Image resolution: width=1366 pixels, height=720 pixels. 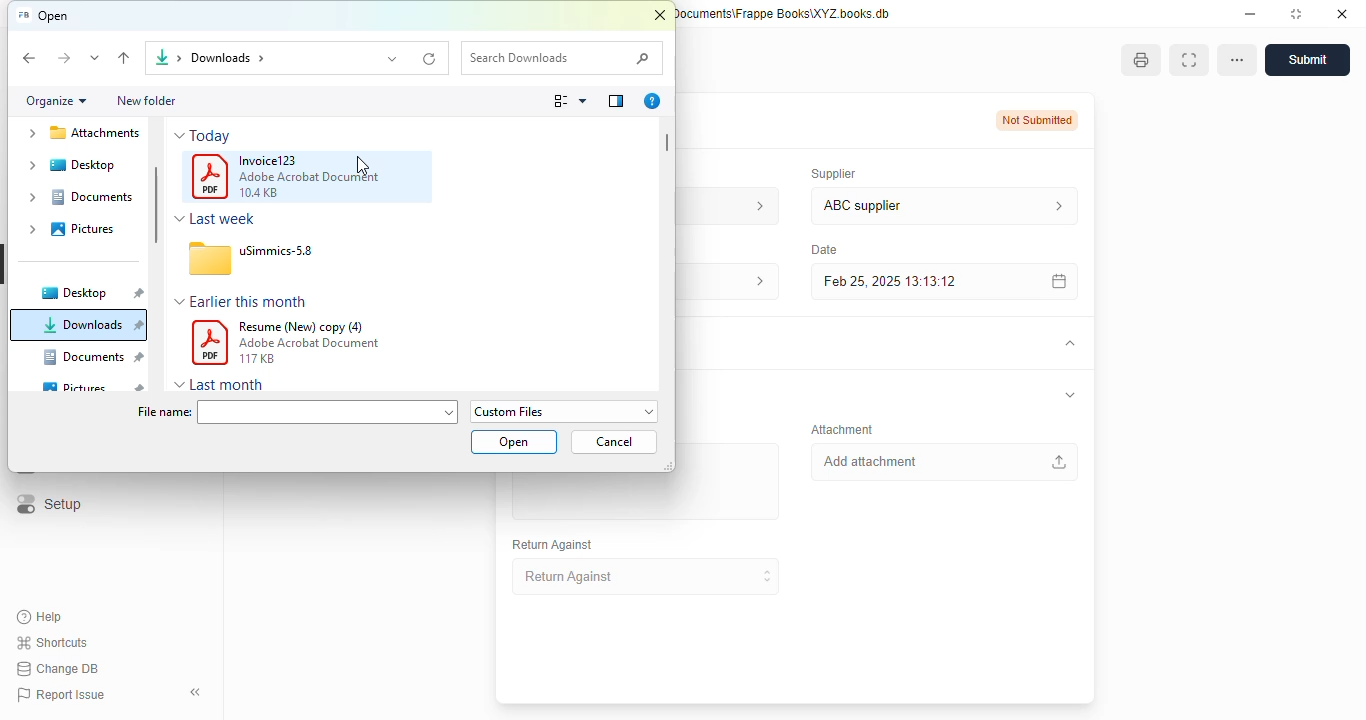 What do you see at coordinates (95, 58) in the screenshot?
I see `recent locations` at bounding box center [95, 58].